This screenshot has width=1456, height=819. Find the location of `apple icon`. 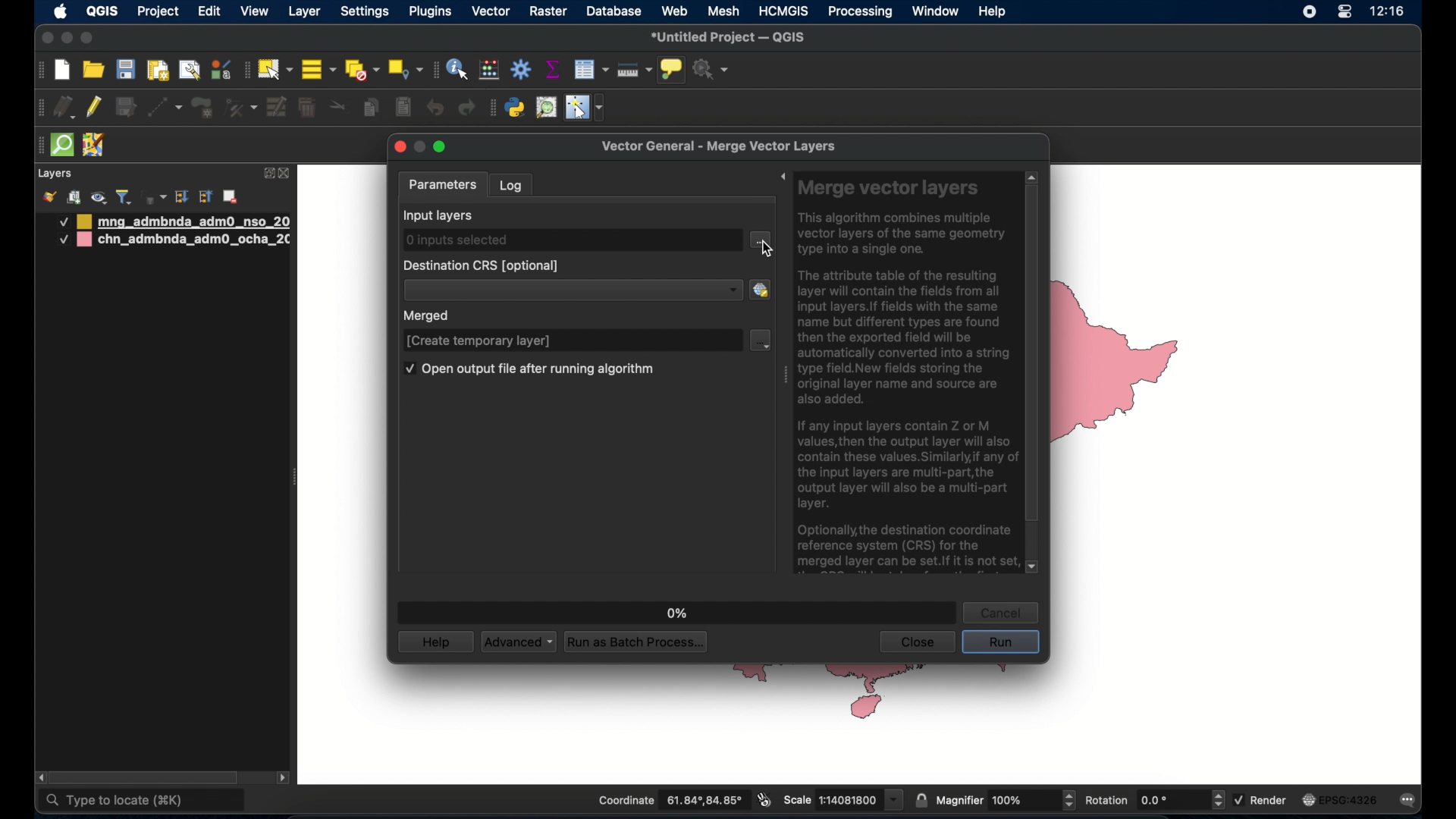

apple icon is located at coordinates (61, 11).